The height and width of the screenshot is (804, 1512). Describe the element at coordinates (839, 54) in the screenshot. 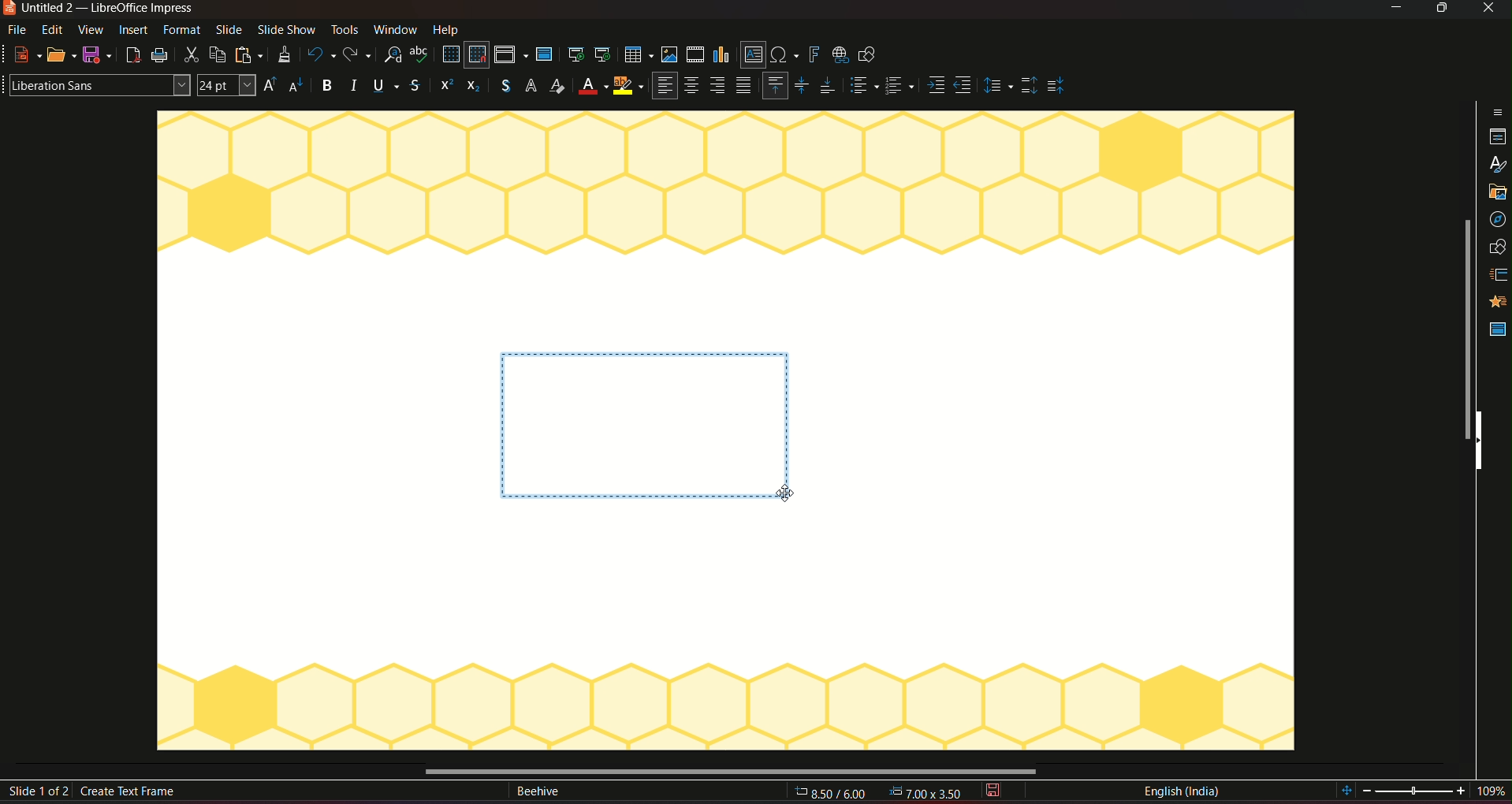

I see `insert hyperlink` at that location.